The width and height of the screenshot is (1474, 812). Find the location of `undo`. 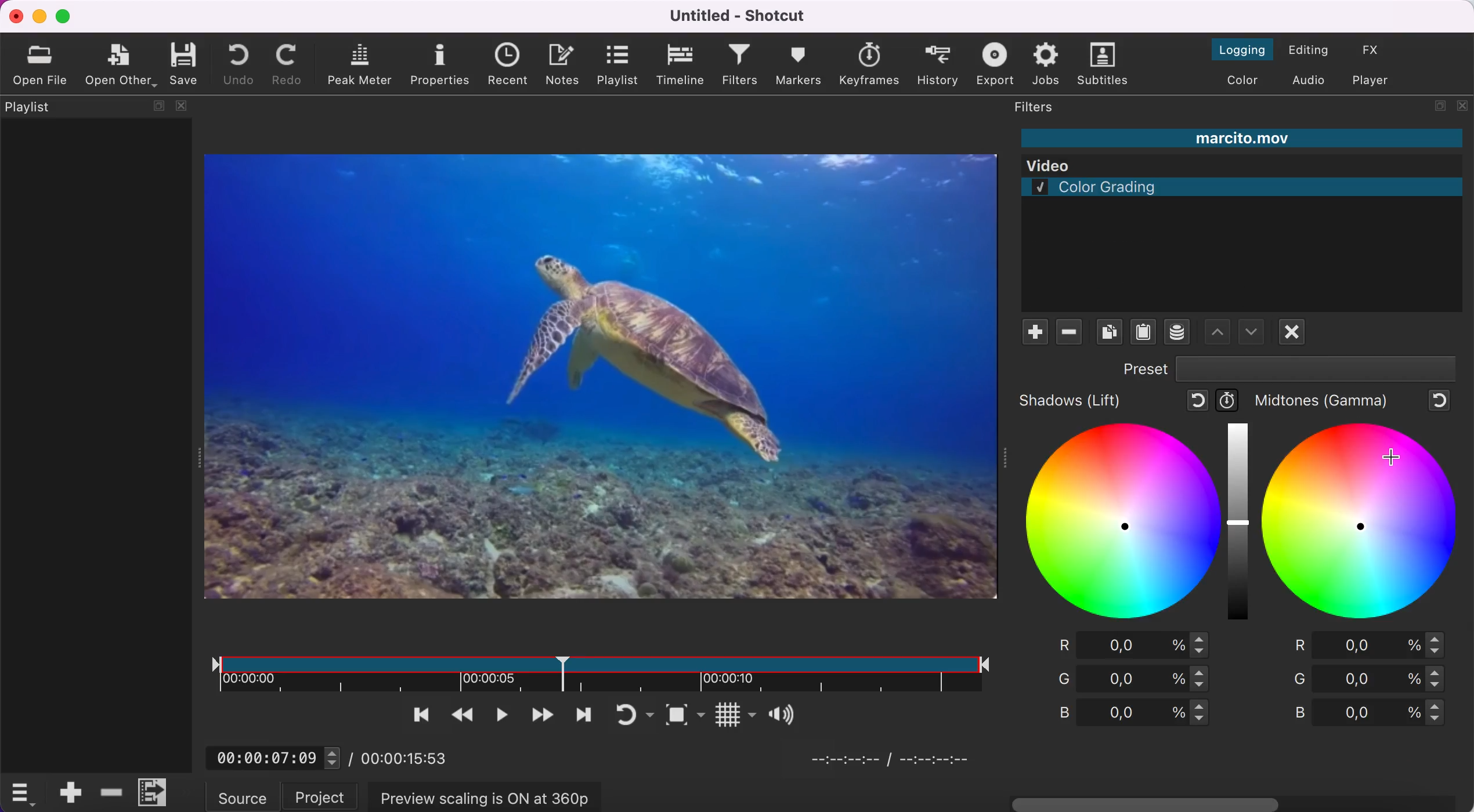

undo is located at coordinates (237, 64).